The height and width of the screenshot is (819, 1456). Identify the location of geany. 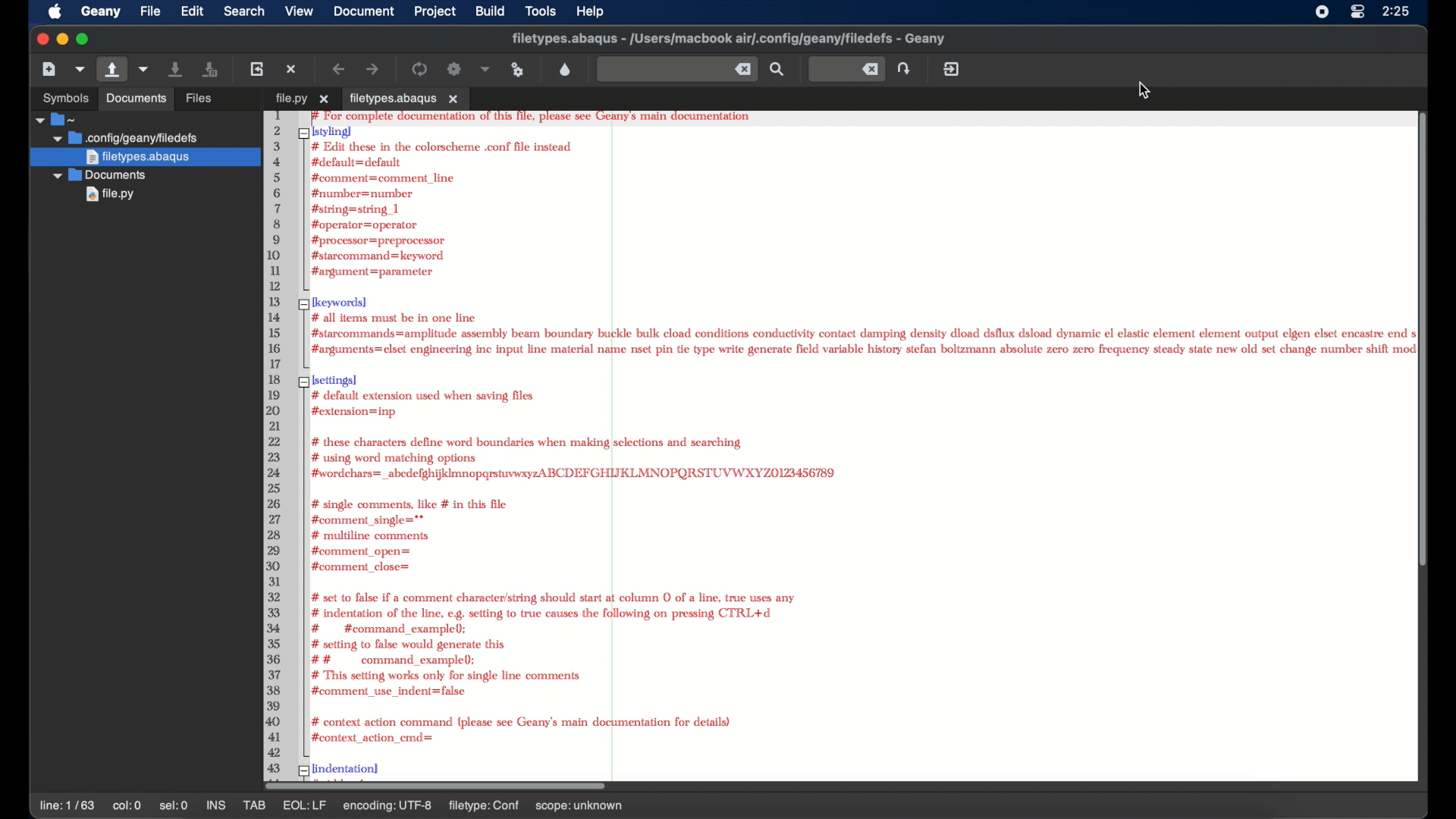
(101, 12).